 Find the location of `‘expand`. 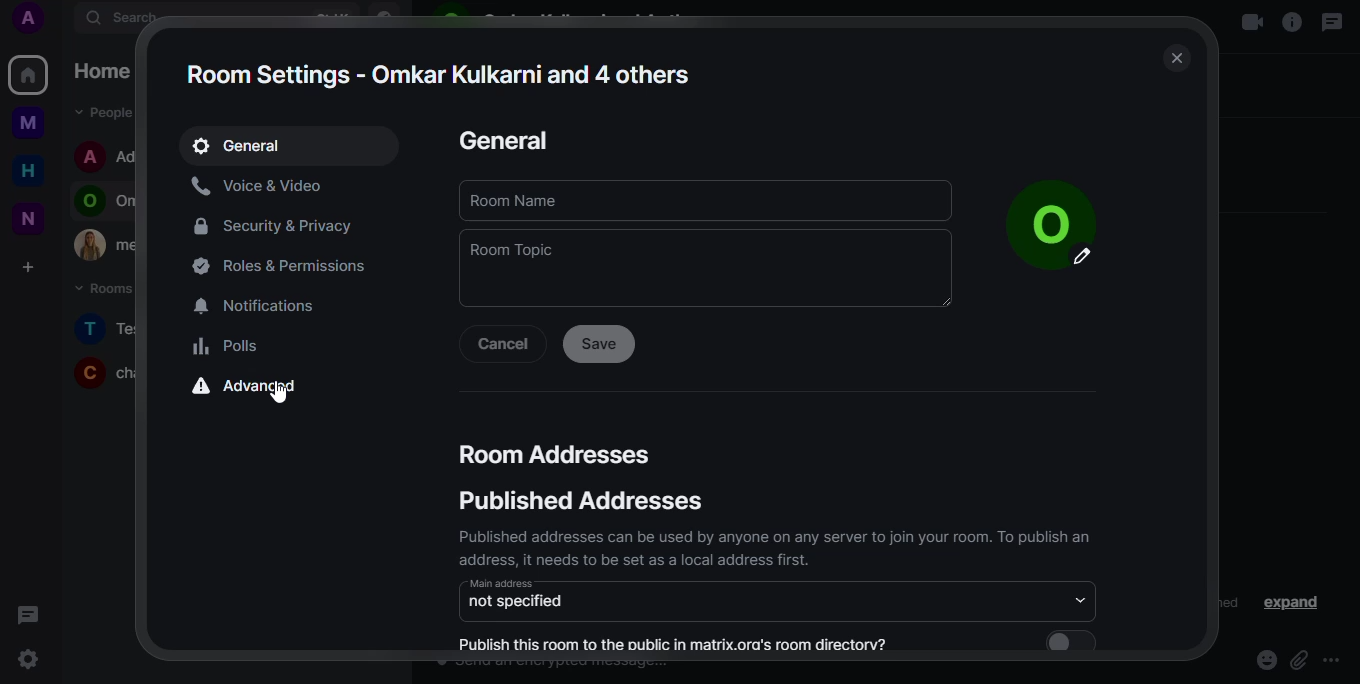

‘expand is located at coordinates (1293, 602).